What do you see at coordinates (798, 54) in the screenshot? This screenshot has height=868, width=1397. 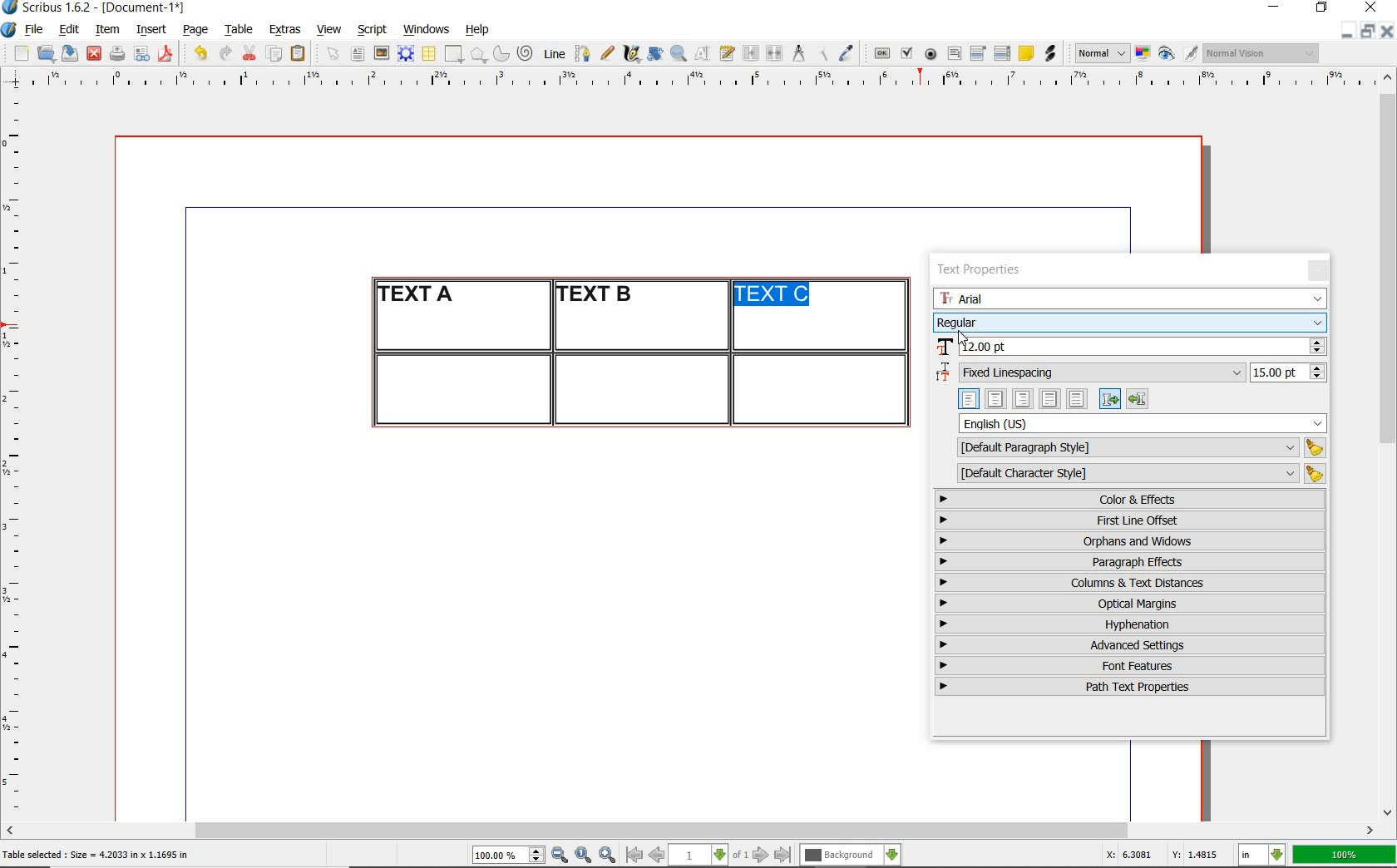 I see `measurements` at bounding box center [798, 54].